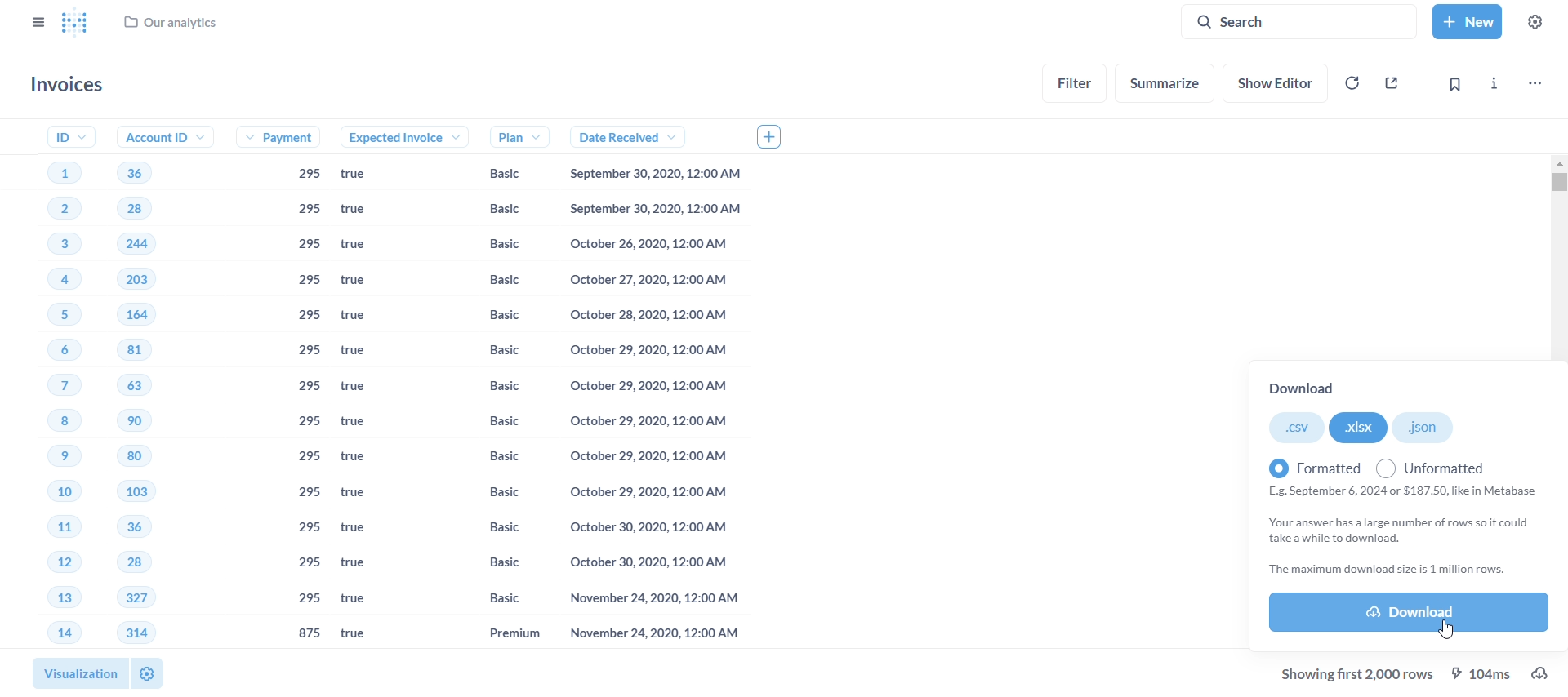  Describe the element at coordinates (501, 136) in the screenshot. I see `plan` at that location.